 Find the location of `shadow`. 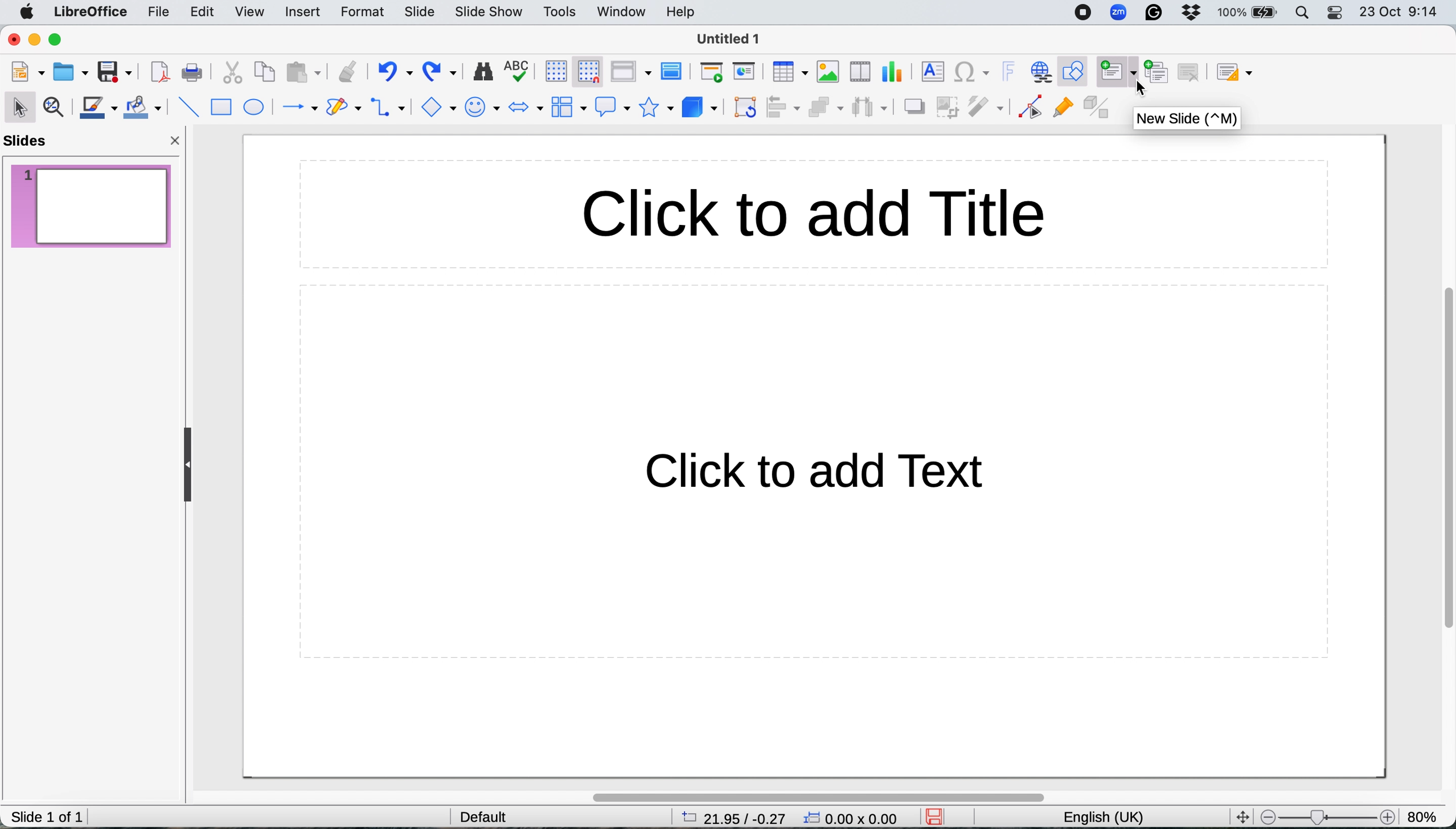

shadow is located at coordinates (913, 106).